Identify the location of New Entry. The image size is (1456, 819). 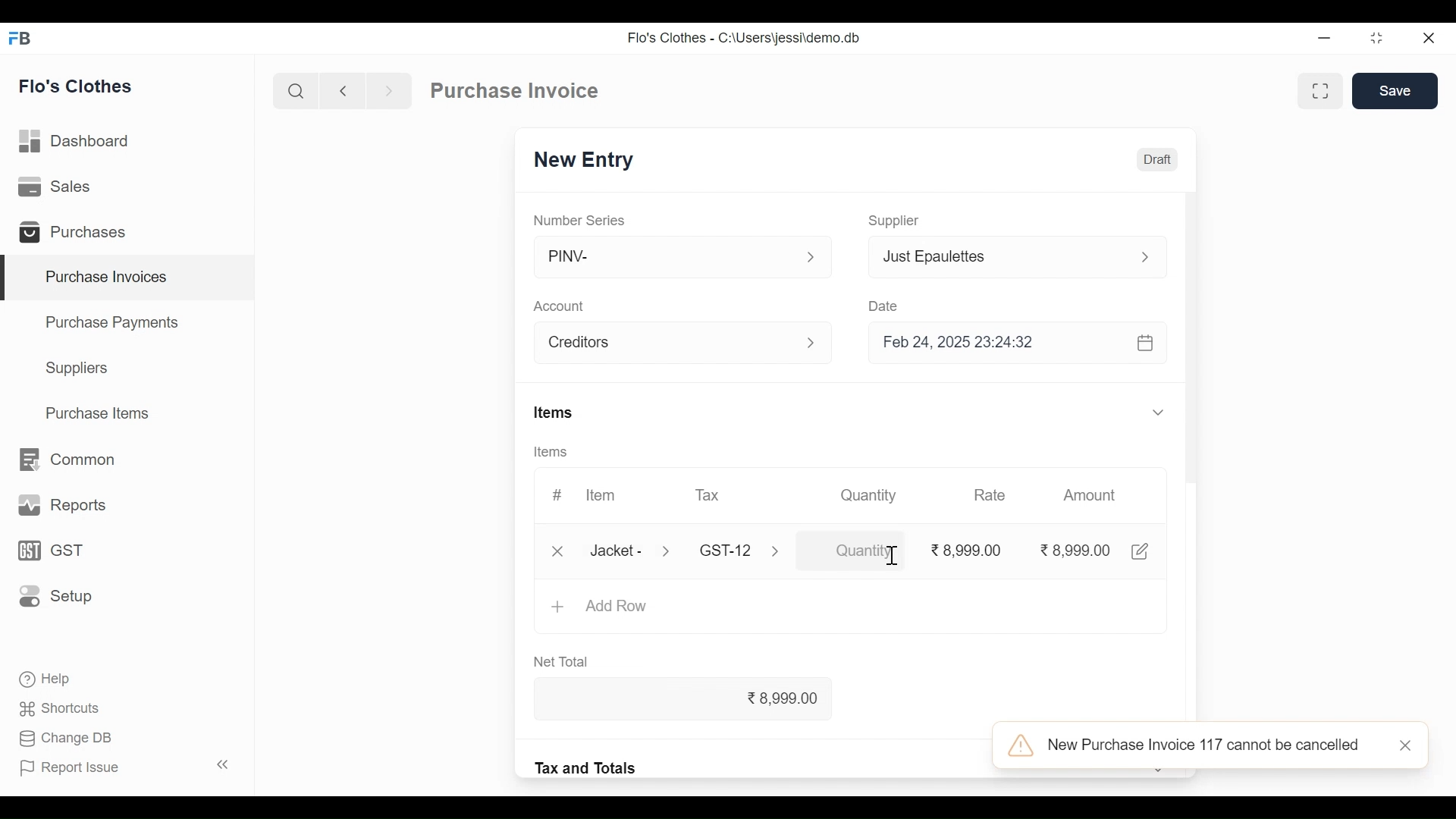
(585, 160).